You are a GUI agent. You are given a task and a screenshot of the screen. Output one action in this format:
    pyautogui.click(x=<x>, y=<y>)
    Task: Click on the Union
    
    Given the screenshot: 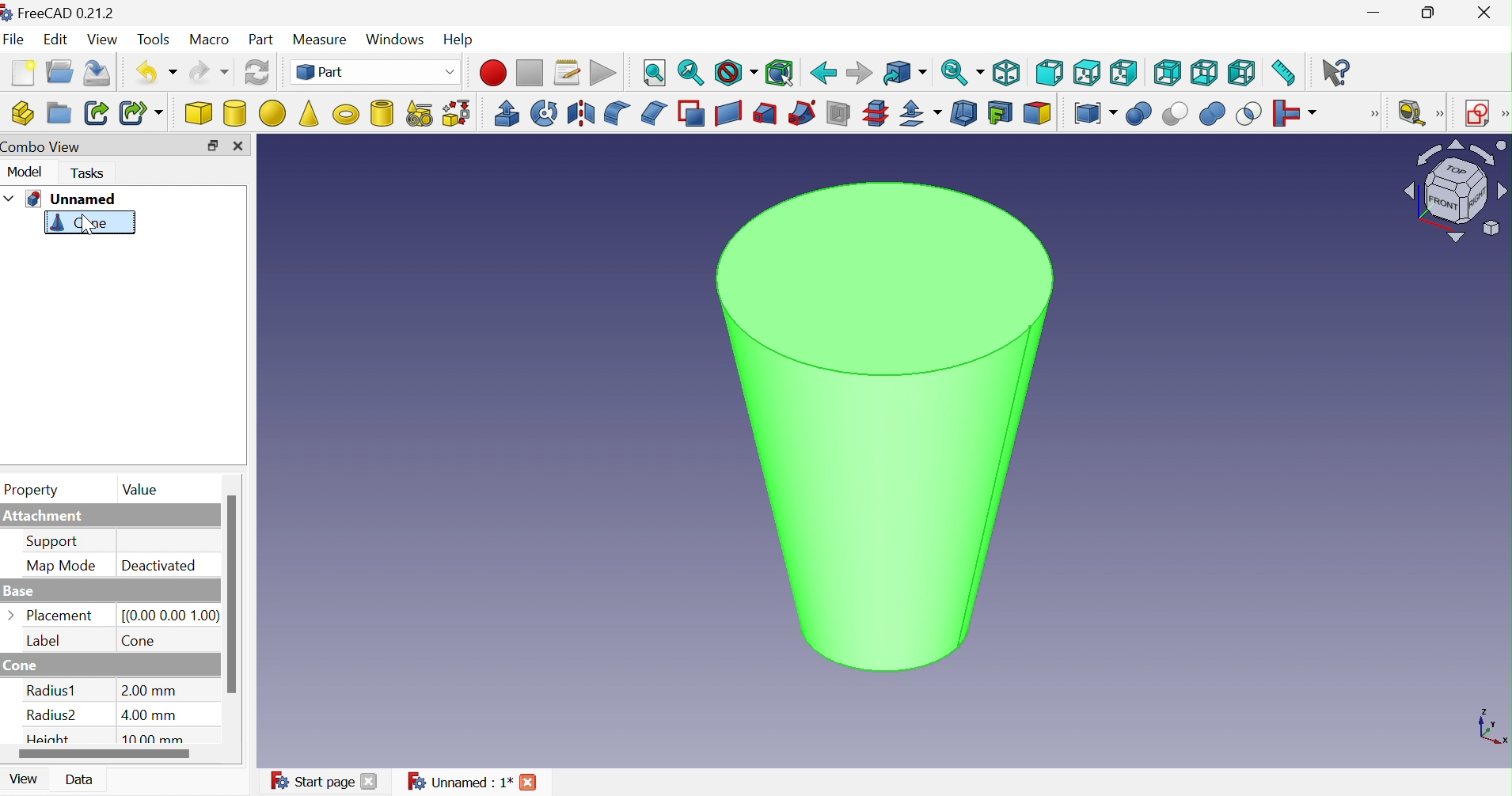 What is the action you would take?
    pyautogui.click(x=1212, y=116)
    